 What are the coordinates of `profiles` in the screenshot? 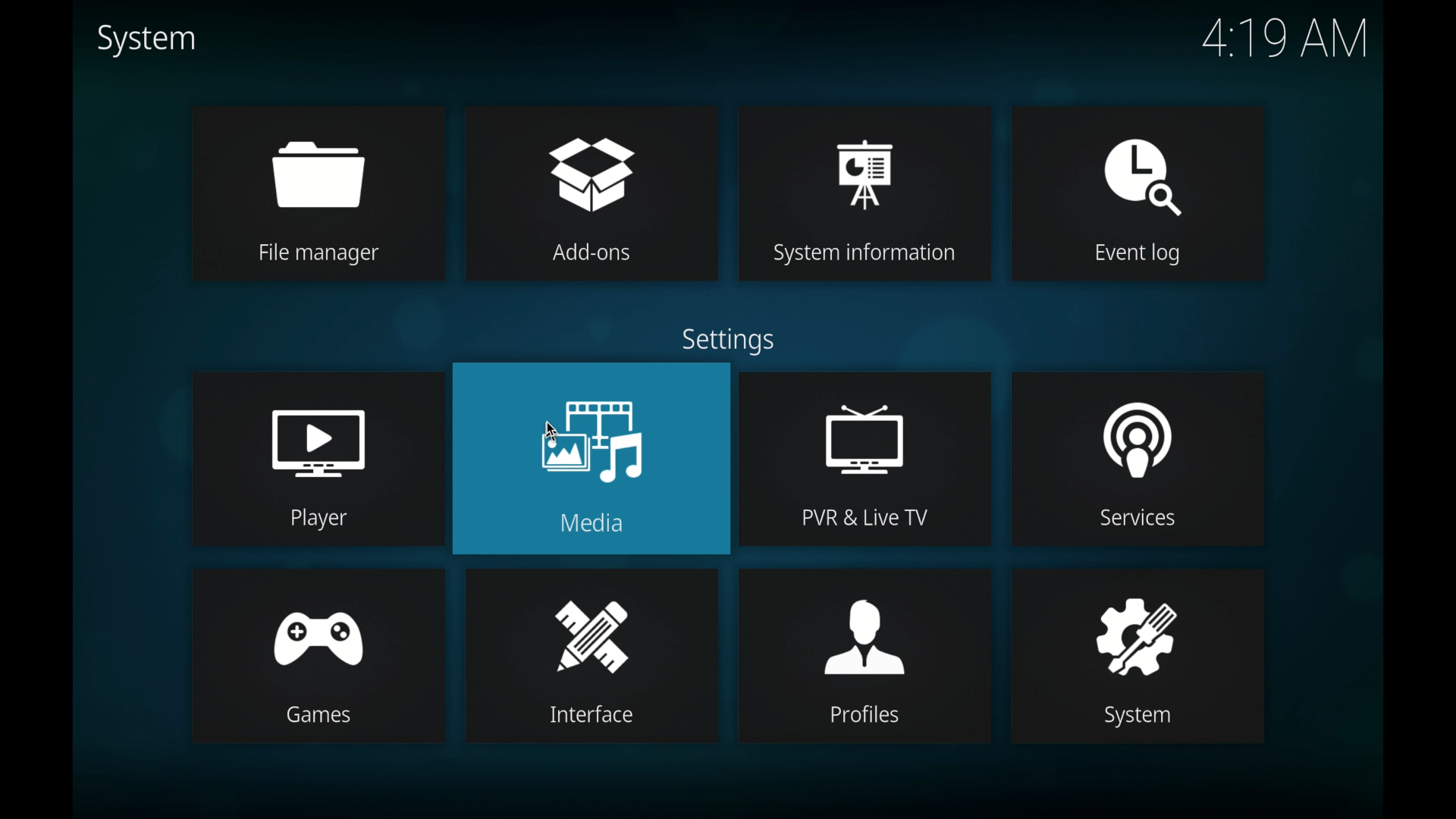 It's located at (865, 657).